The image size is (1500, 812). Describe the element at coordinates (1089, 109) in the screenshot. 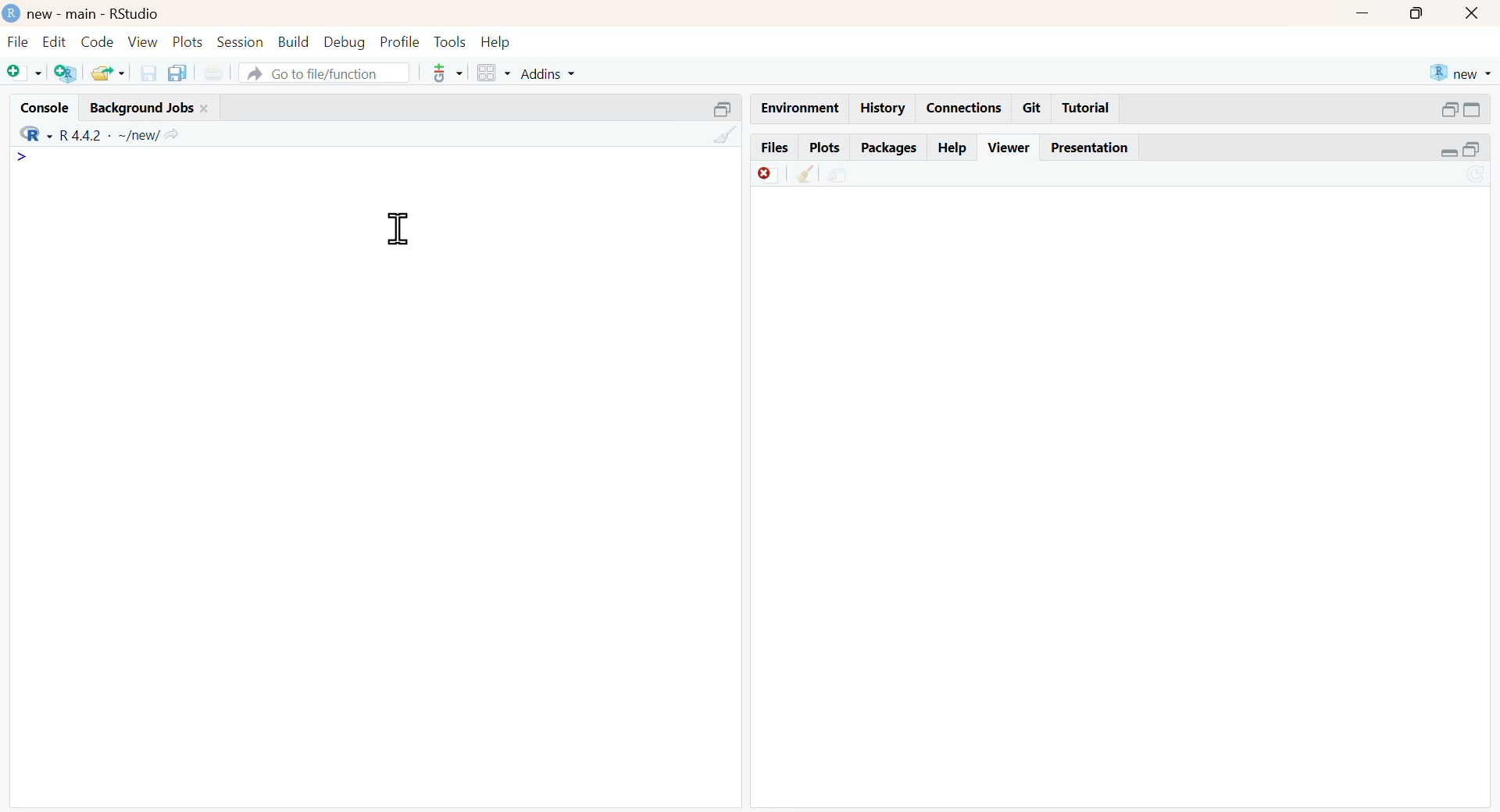

I see `Tutorial` at that location.